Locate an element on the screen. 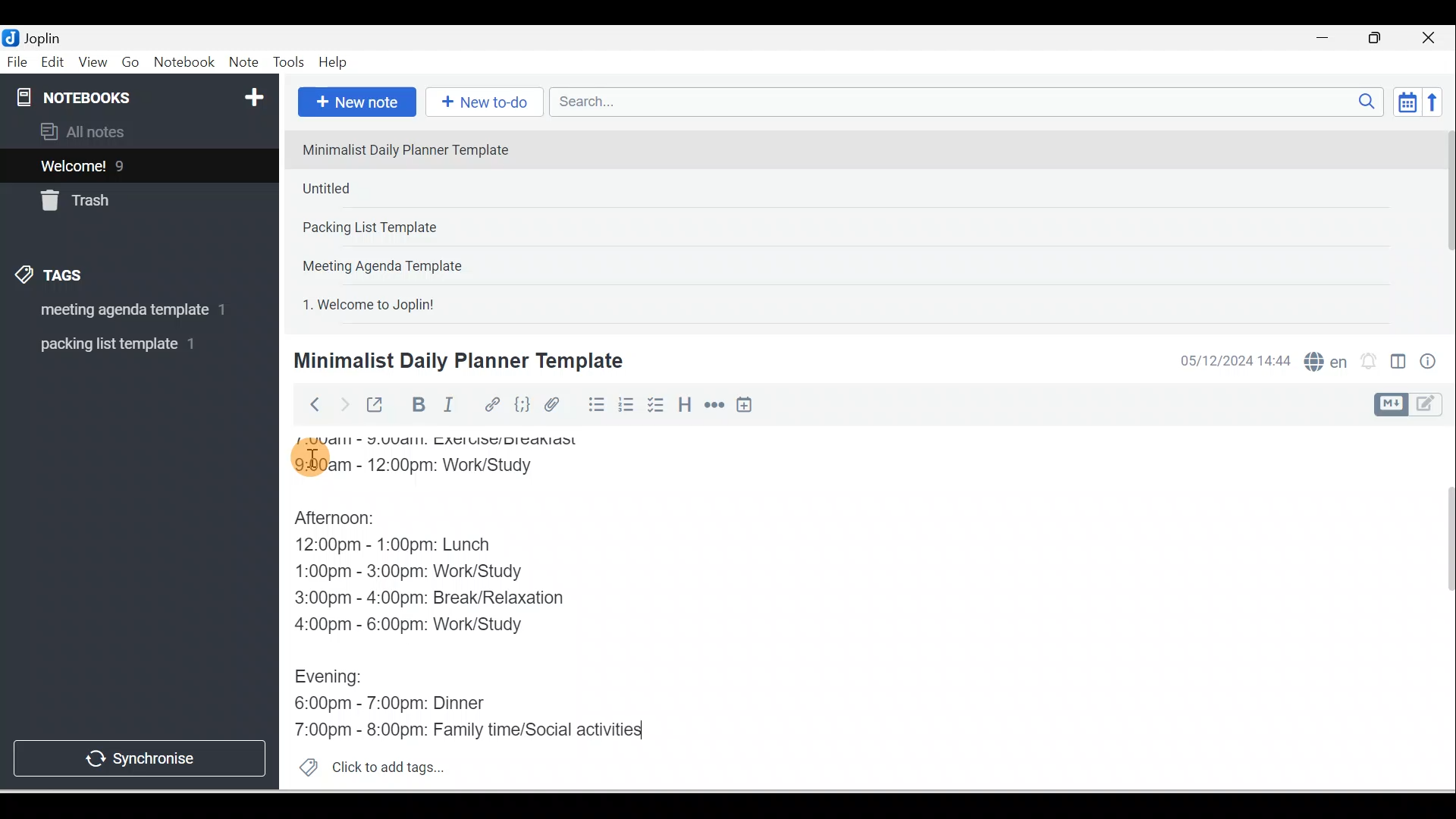  Tools is located at coordinates (288, 62).